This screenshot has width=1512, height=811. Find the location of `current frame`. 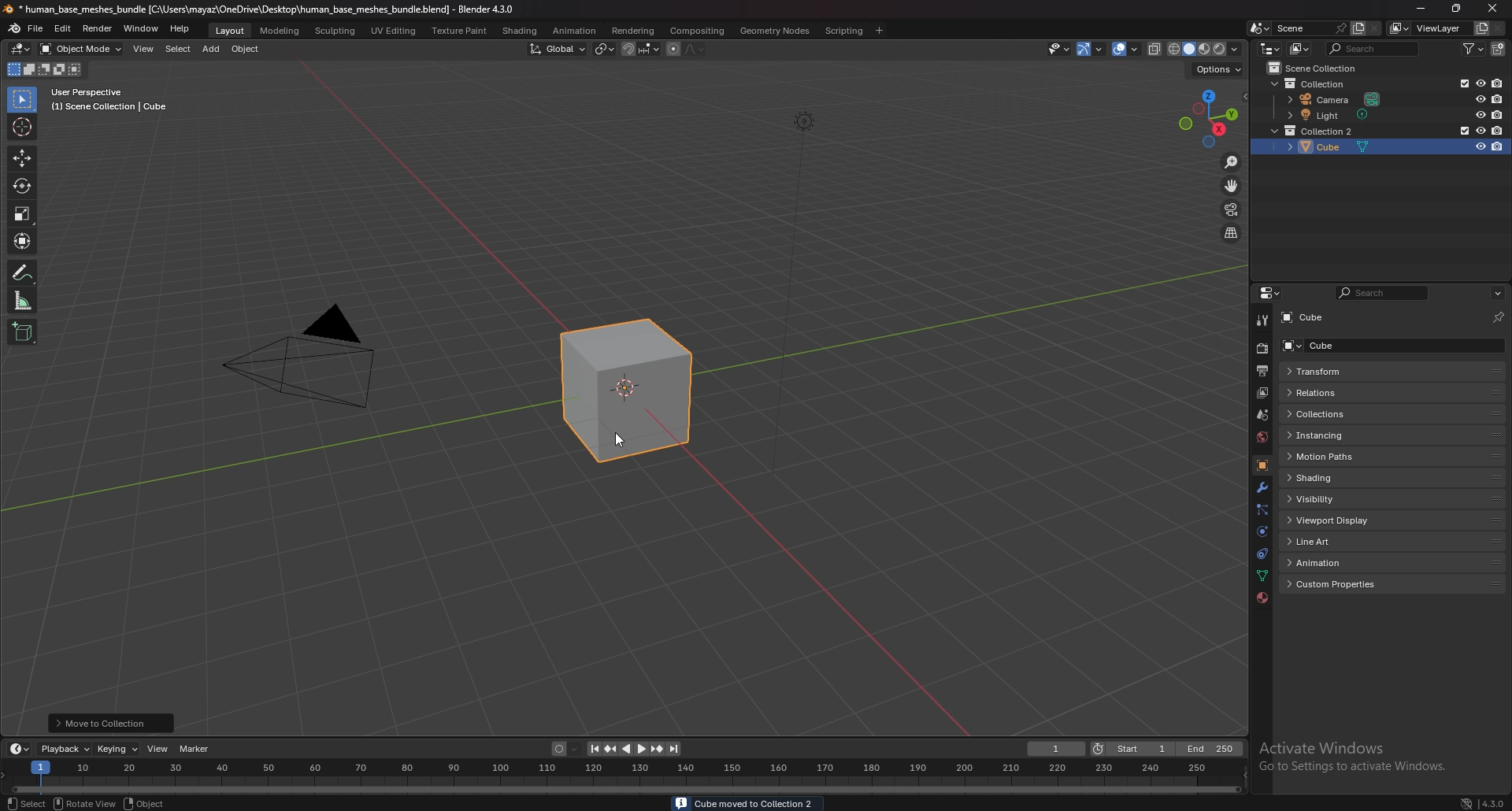

current frame is located at coordinates (1055, 750).